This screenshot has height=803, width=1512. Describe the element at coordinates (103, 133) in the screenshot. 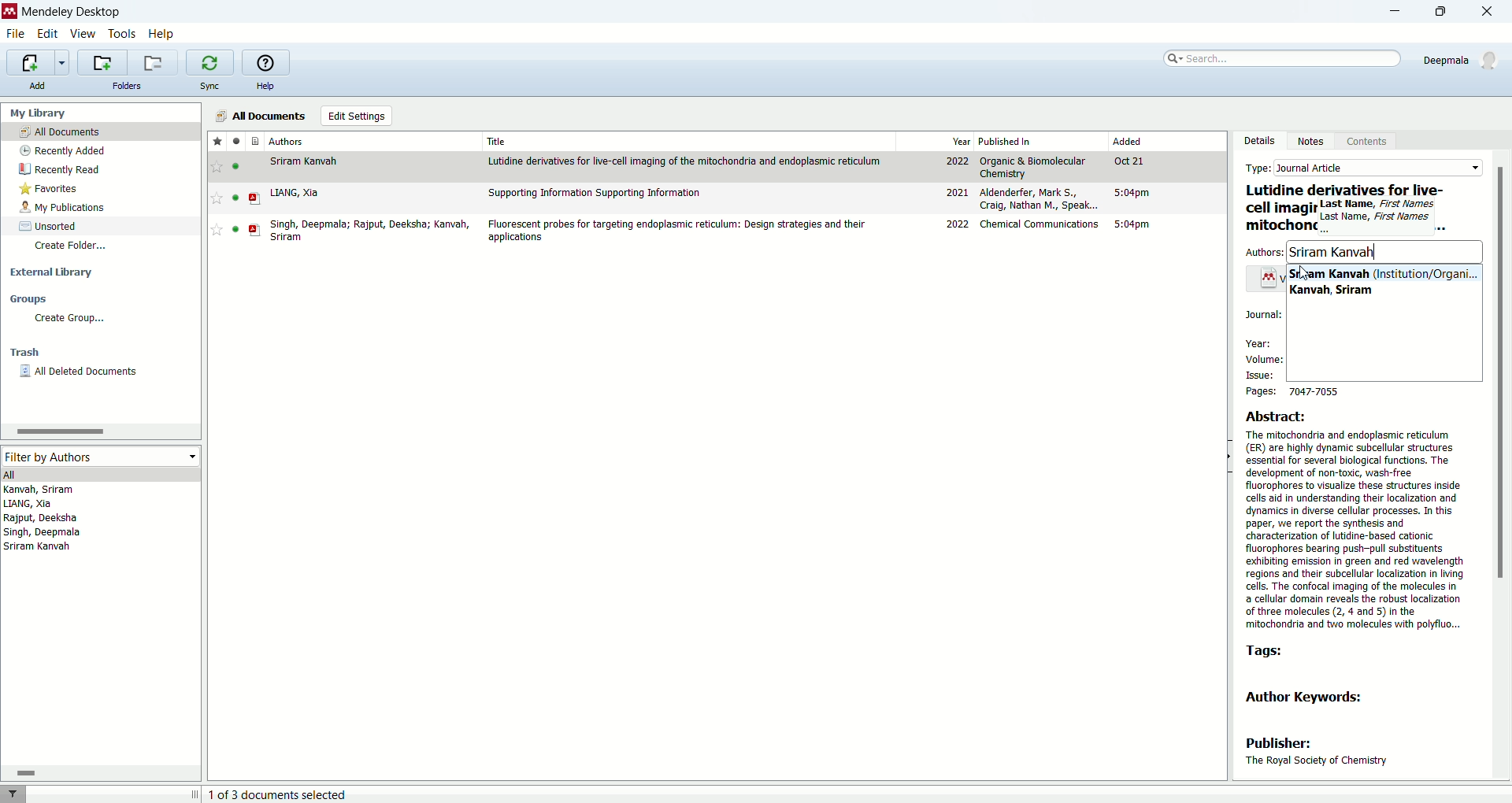

I see `all documents` at that location.